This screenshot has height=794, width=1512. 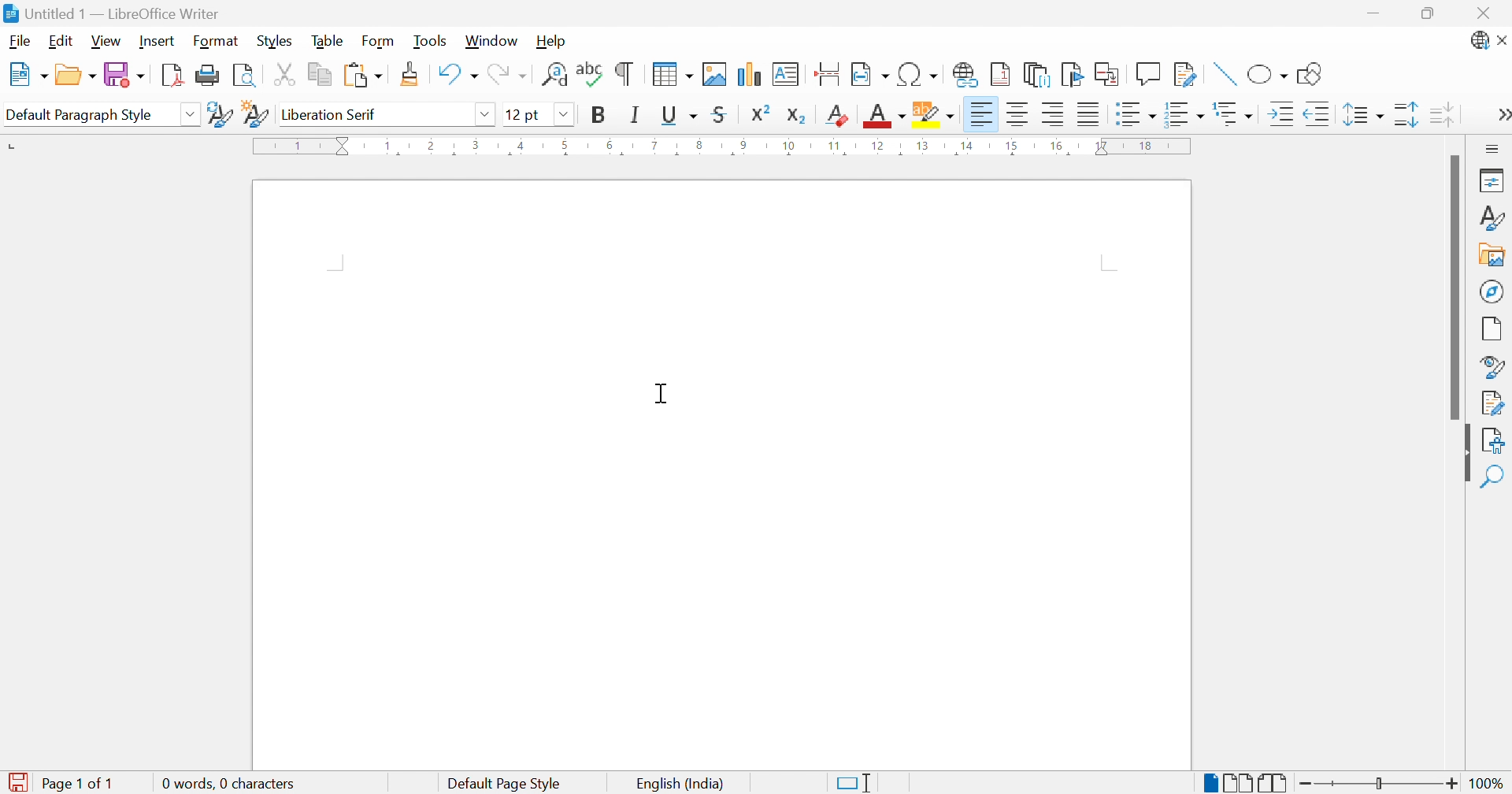 I want to click on Insert table, so click(x=672, y=73).